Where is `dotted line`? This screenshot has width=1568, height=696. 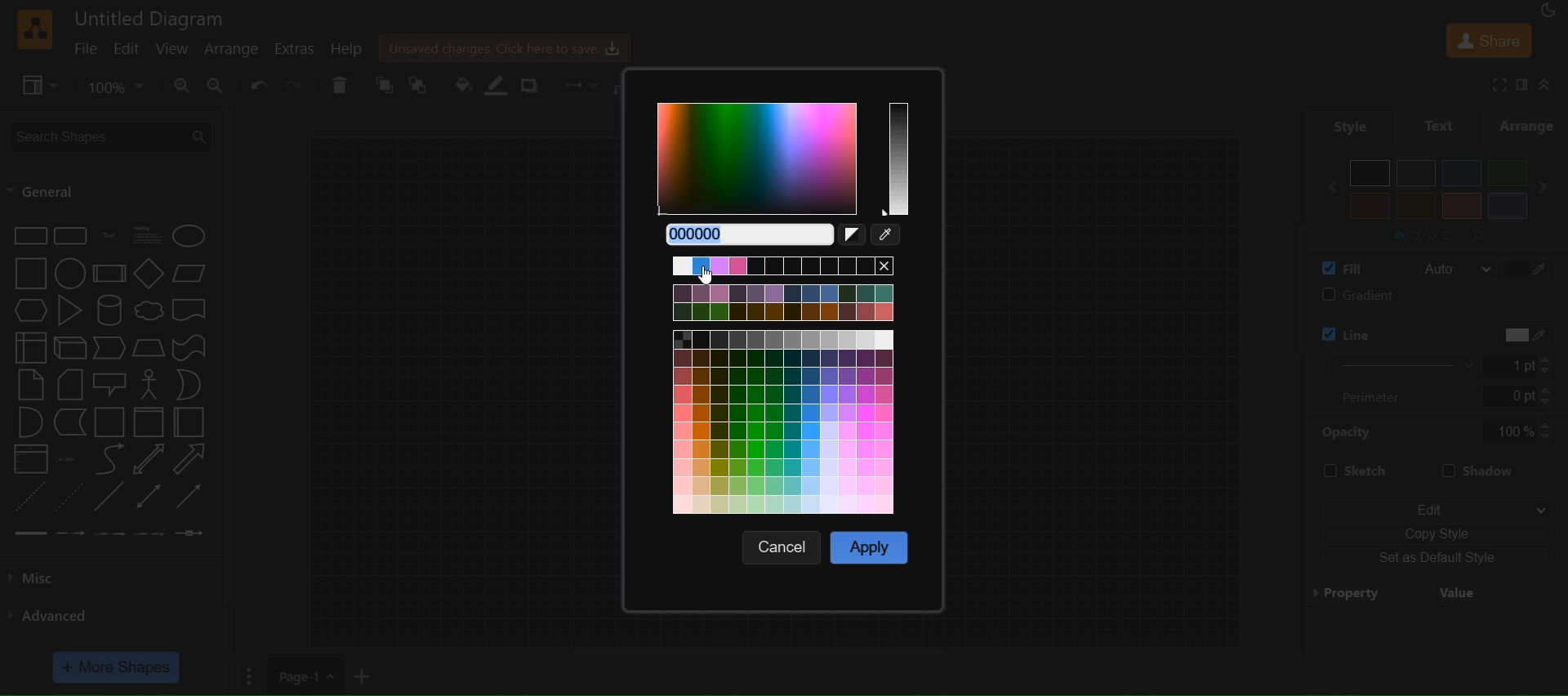 dotted line is located at coordinates (69, 496).